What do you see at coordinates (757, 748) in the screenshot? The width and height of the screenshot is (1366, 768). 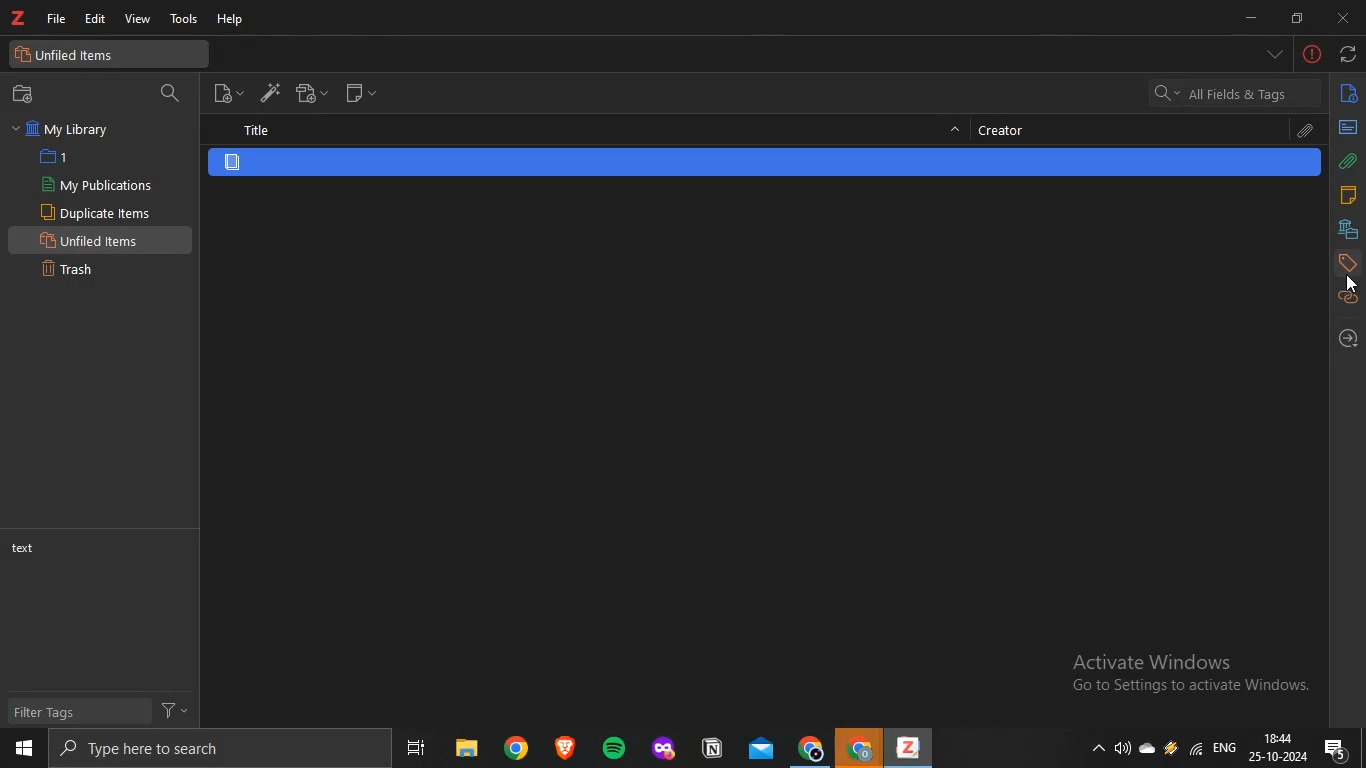 I see `mail` at bounding box center [757, 748].